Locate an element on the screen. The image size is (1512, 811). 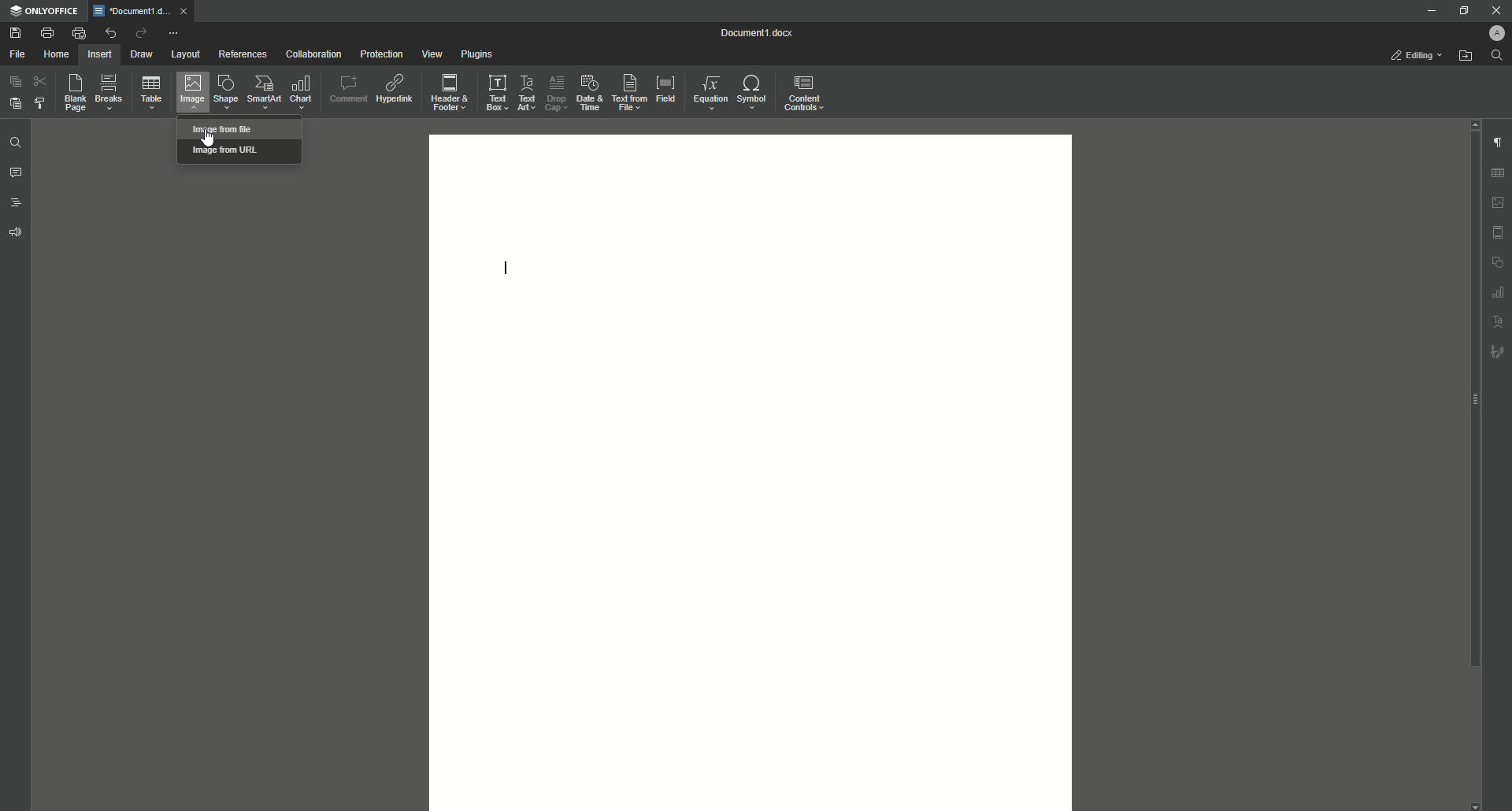
Quick Print is located at coordinates (78, 31).